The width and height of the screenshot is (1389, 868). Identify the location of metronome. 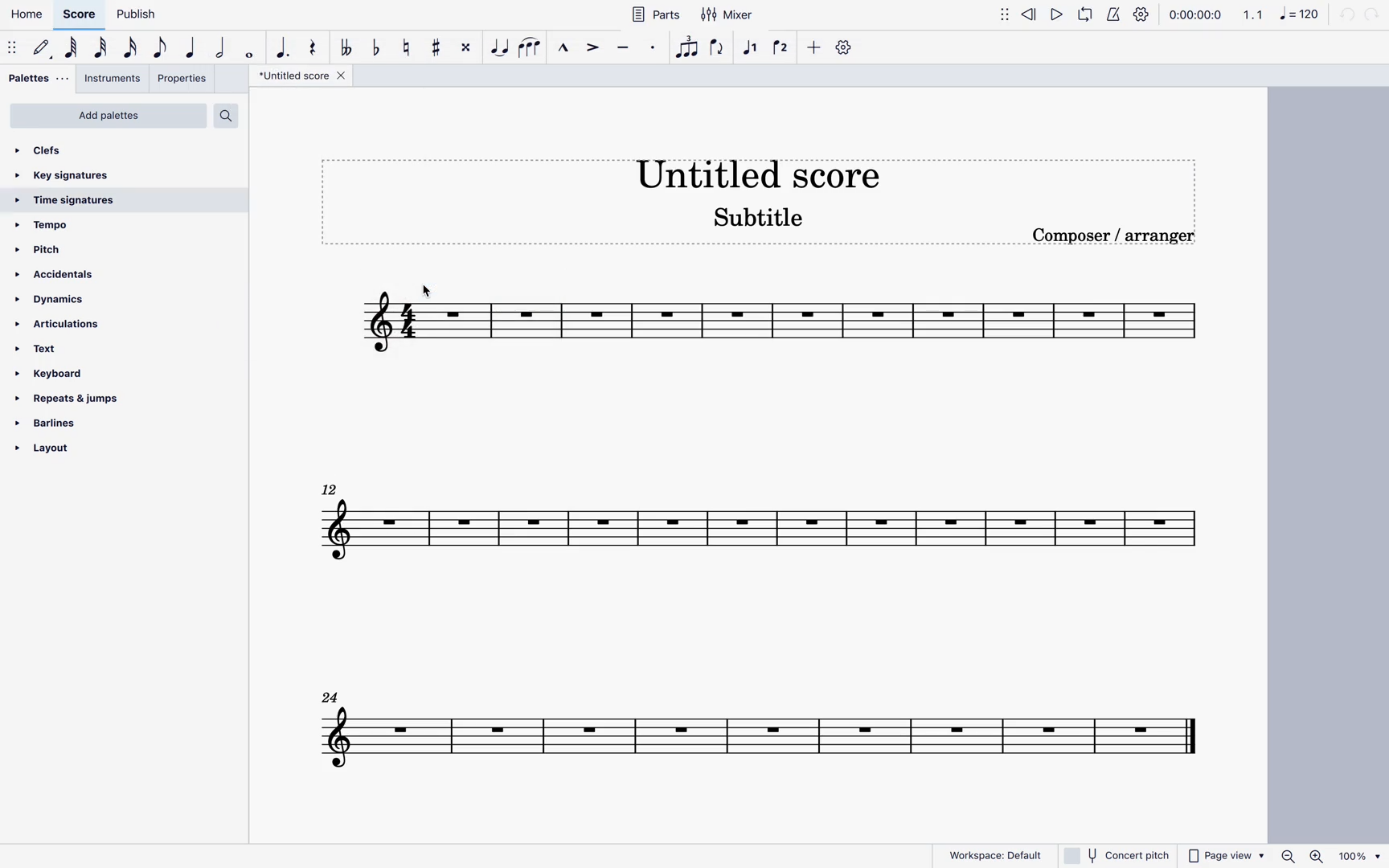
(1111, 14).